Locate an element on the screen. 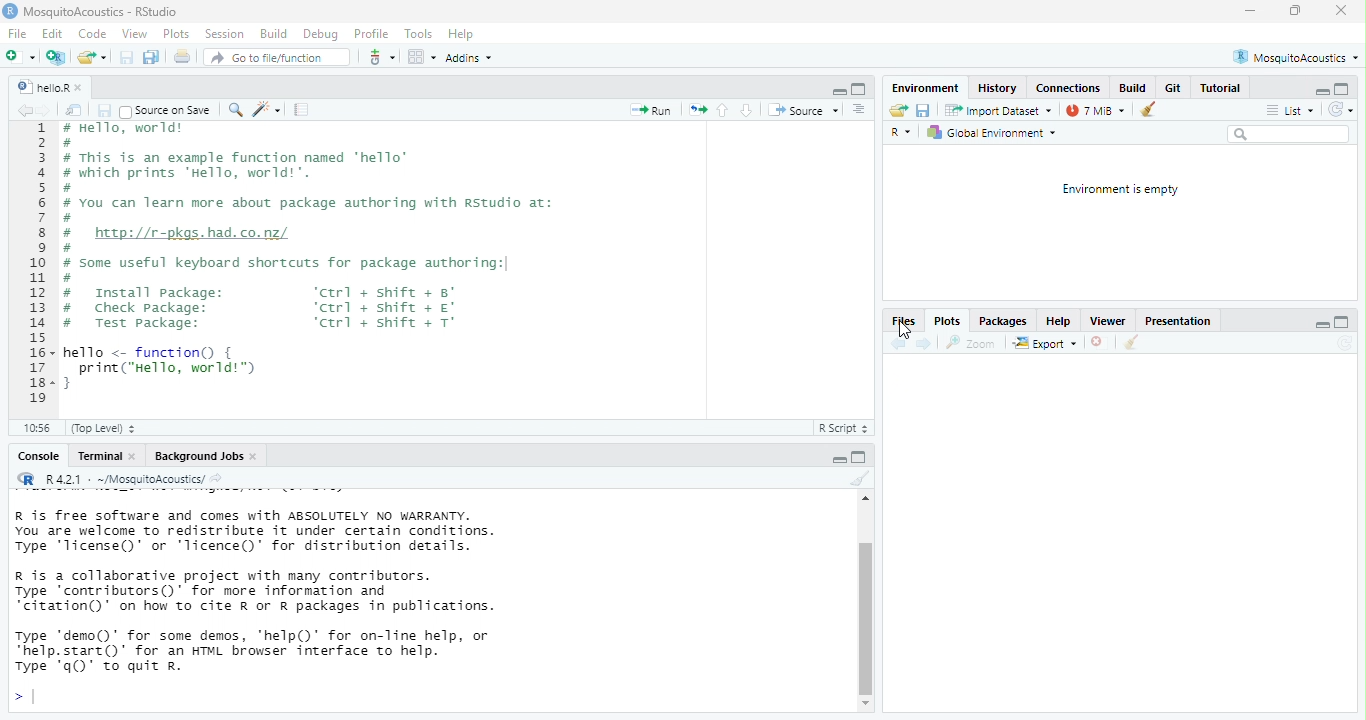 This screenshot has width=1366, height=720. hide console is located at coordinates (861, 460).